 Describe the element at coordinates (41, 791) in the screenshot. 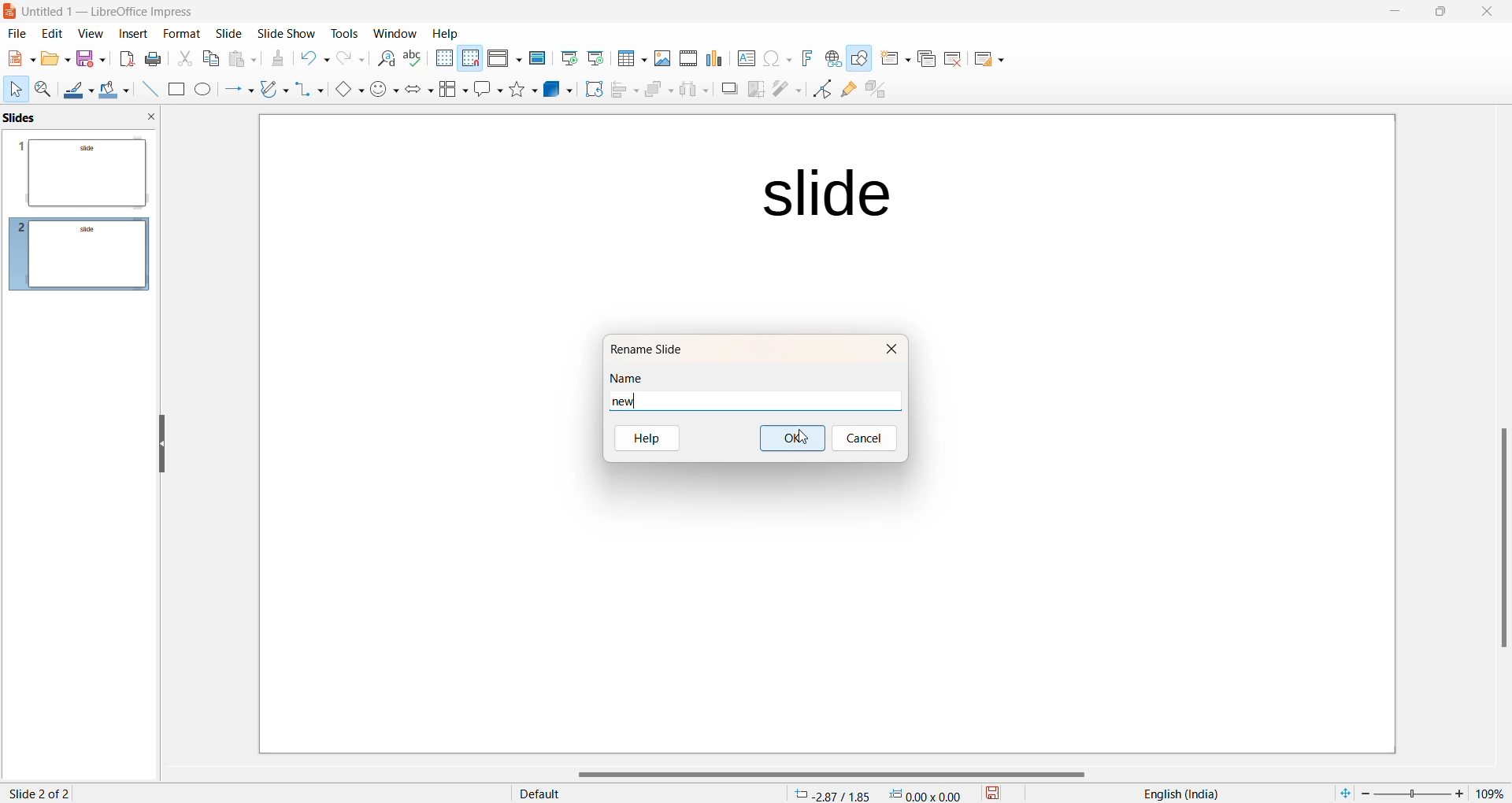

I see `slide 2 of 2` at that location.